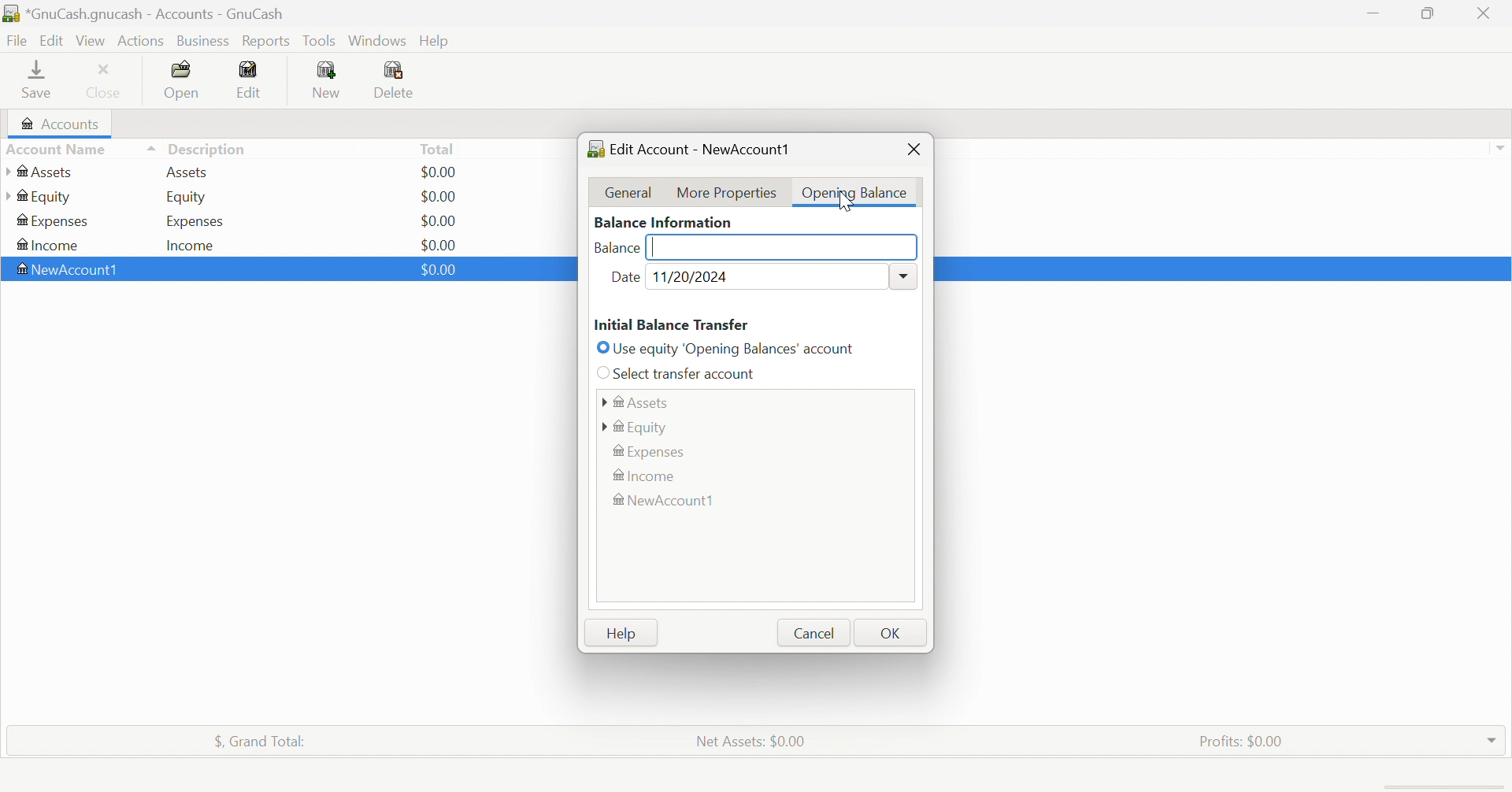 This screenshot has width=1512, height=792. What do you see at coordinates (145, 13) in the screenshot?
I see `*GnuCash.gnucash - Accounts - GnuCash` at bounding box center [145, 13].